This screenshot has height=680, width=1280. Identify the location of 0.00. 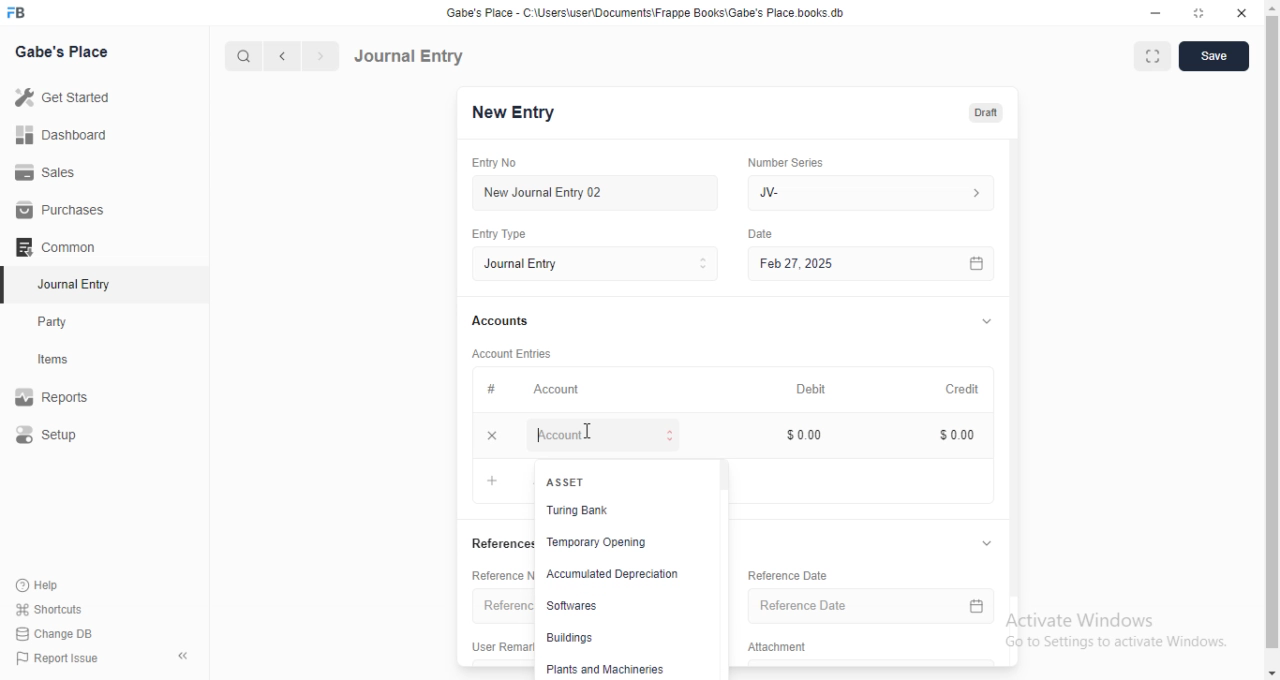
(958, 436).